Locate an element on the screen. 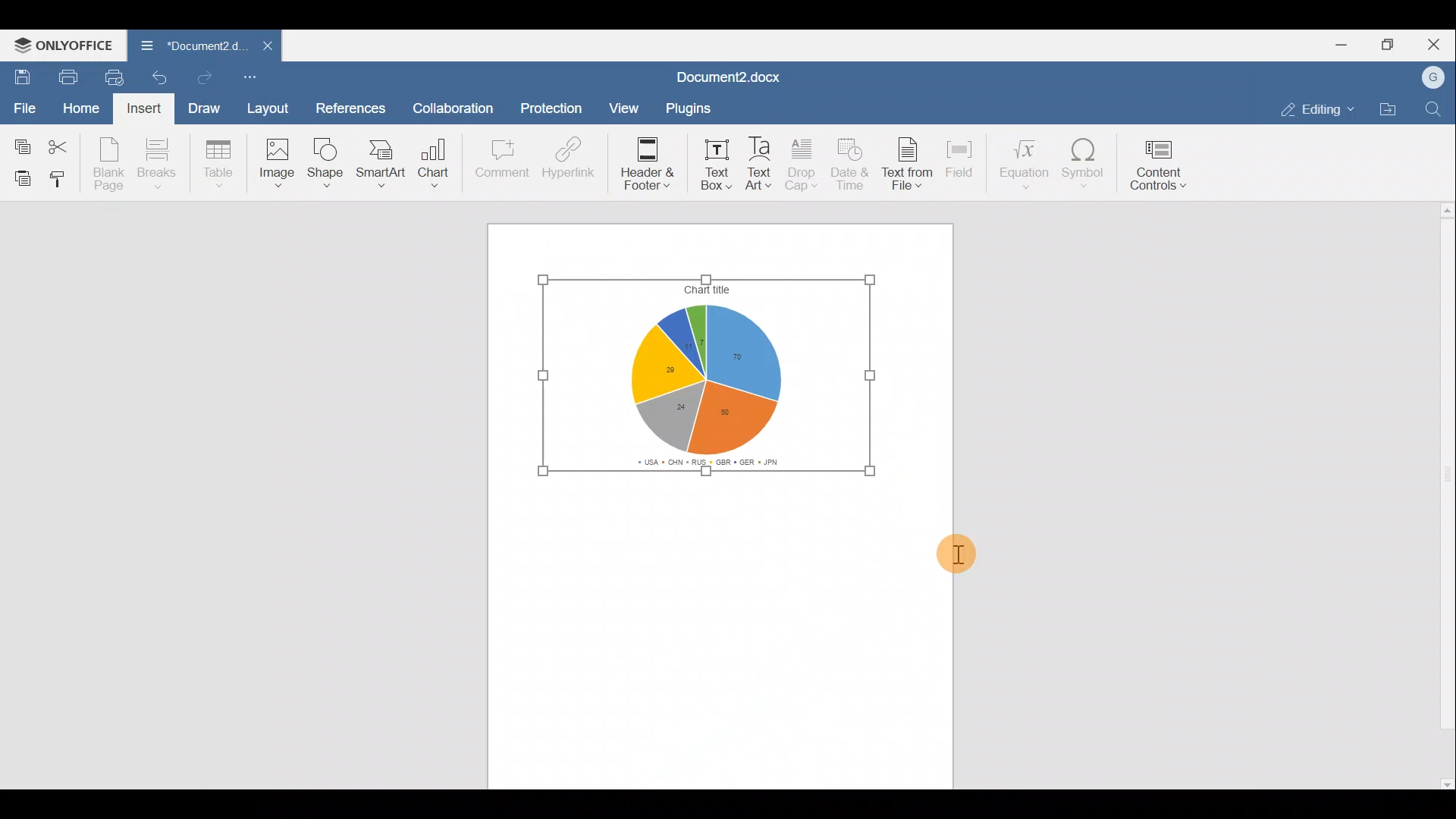  Open file location is located at coordinates (1388, 109).